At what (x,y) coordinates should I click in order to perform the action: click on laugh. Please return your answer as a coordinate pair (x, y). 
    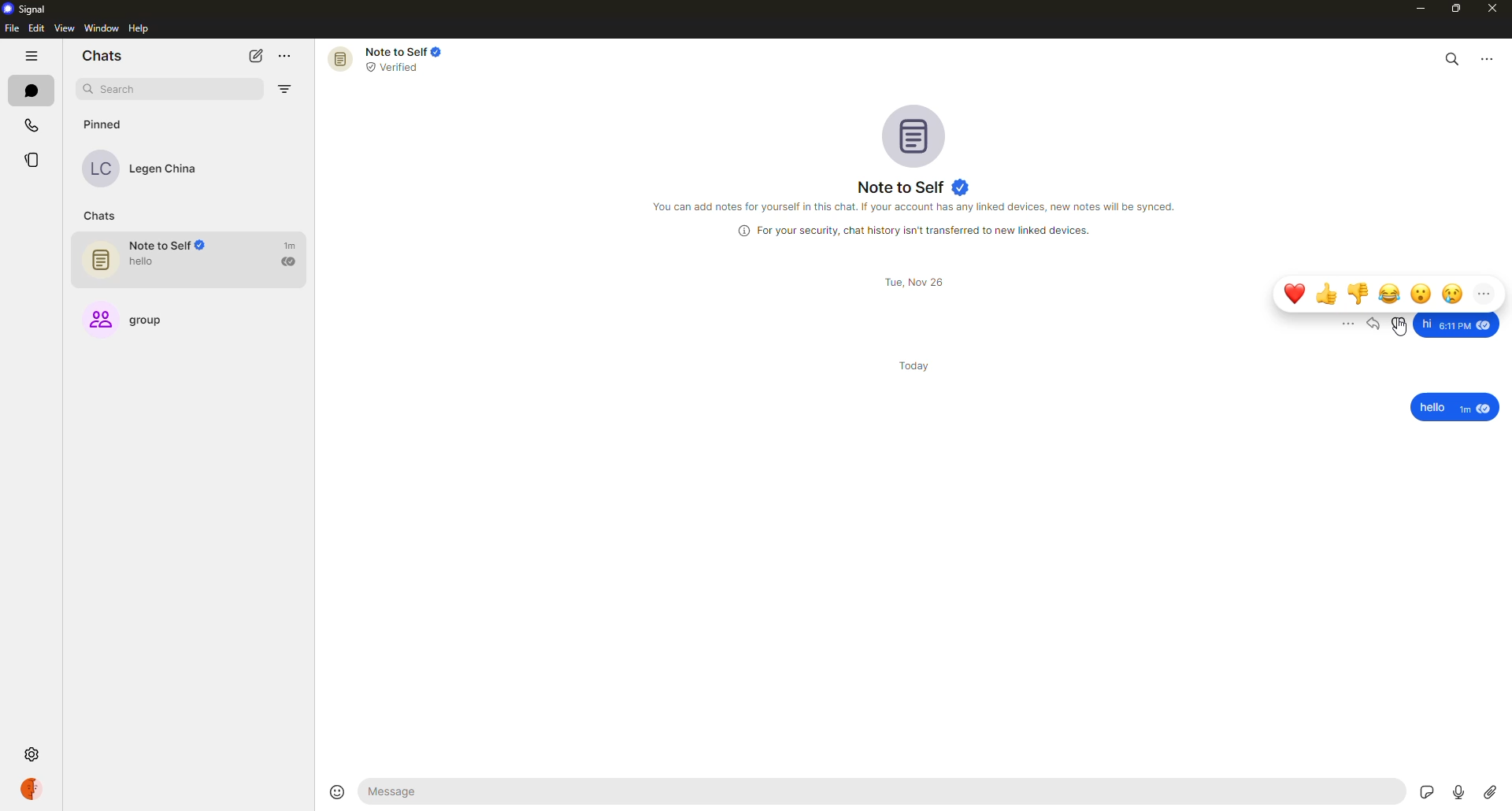
    Looking at the image, I should click on (1392, 291).